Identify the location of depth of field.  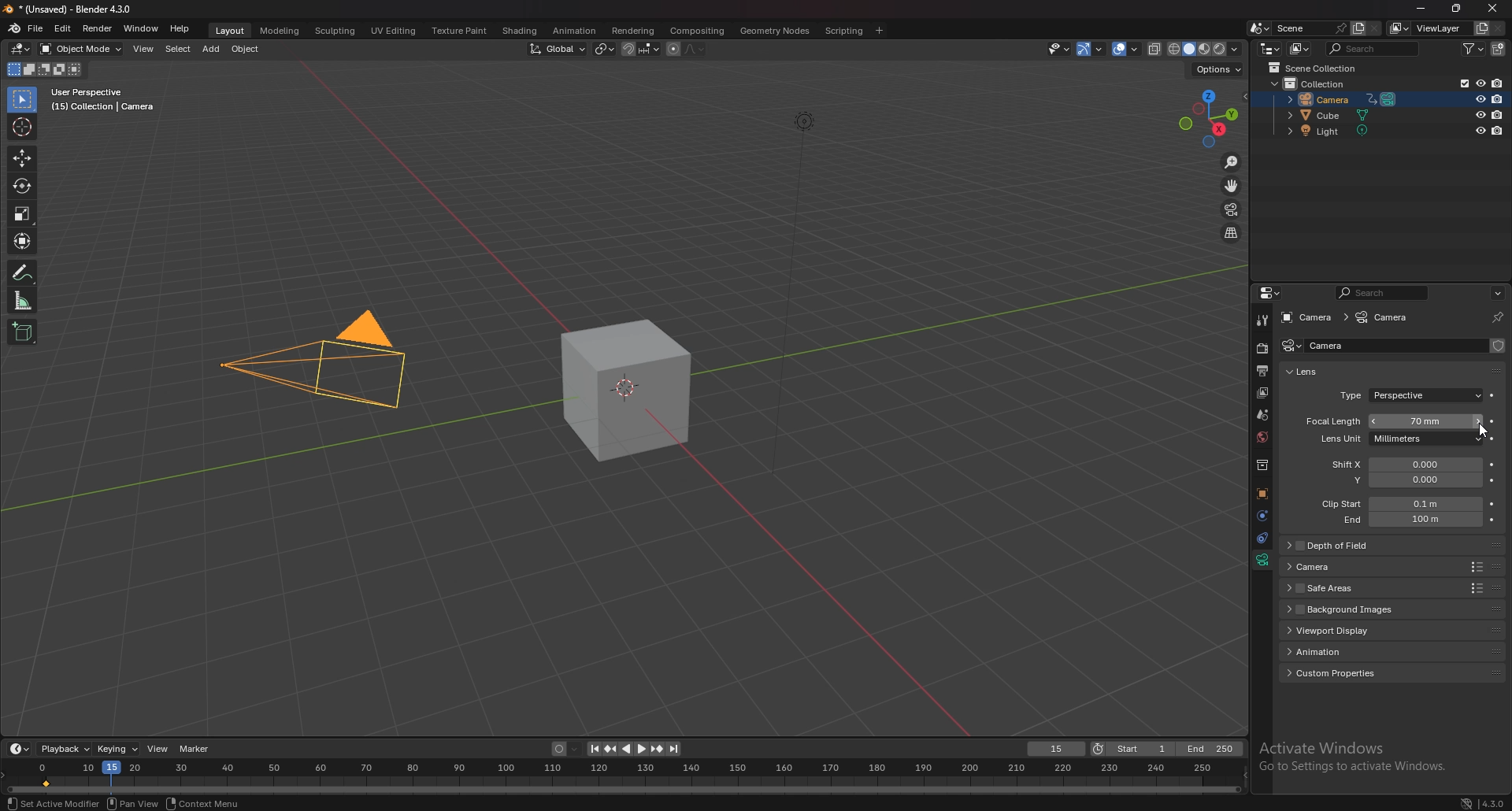
(1352, 546).